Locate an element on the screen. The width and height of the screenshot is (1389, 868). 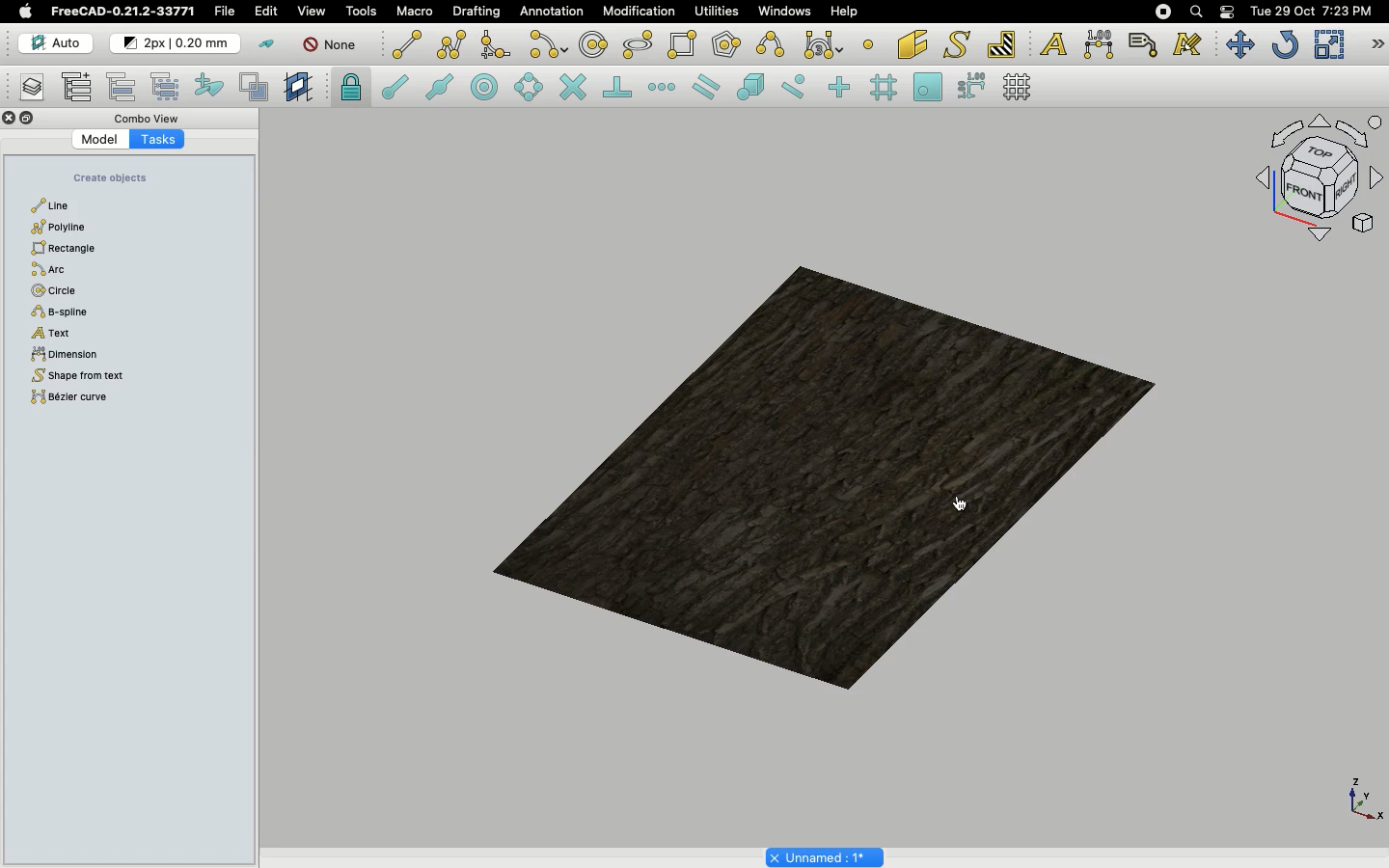
Snap parallel is located at coordinates (704, 87).